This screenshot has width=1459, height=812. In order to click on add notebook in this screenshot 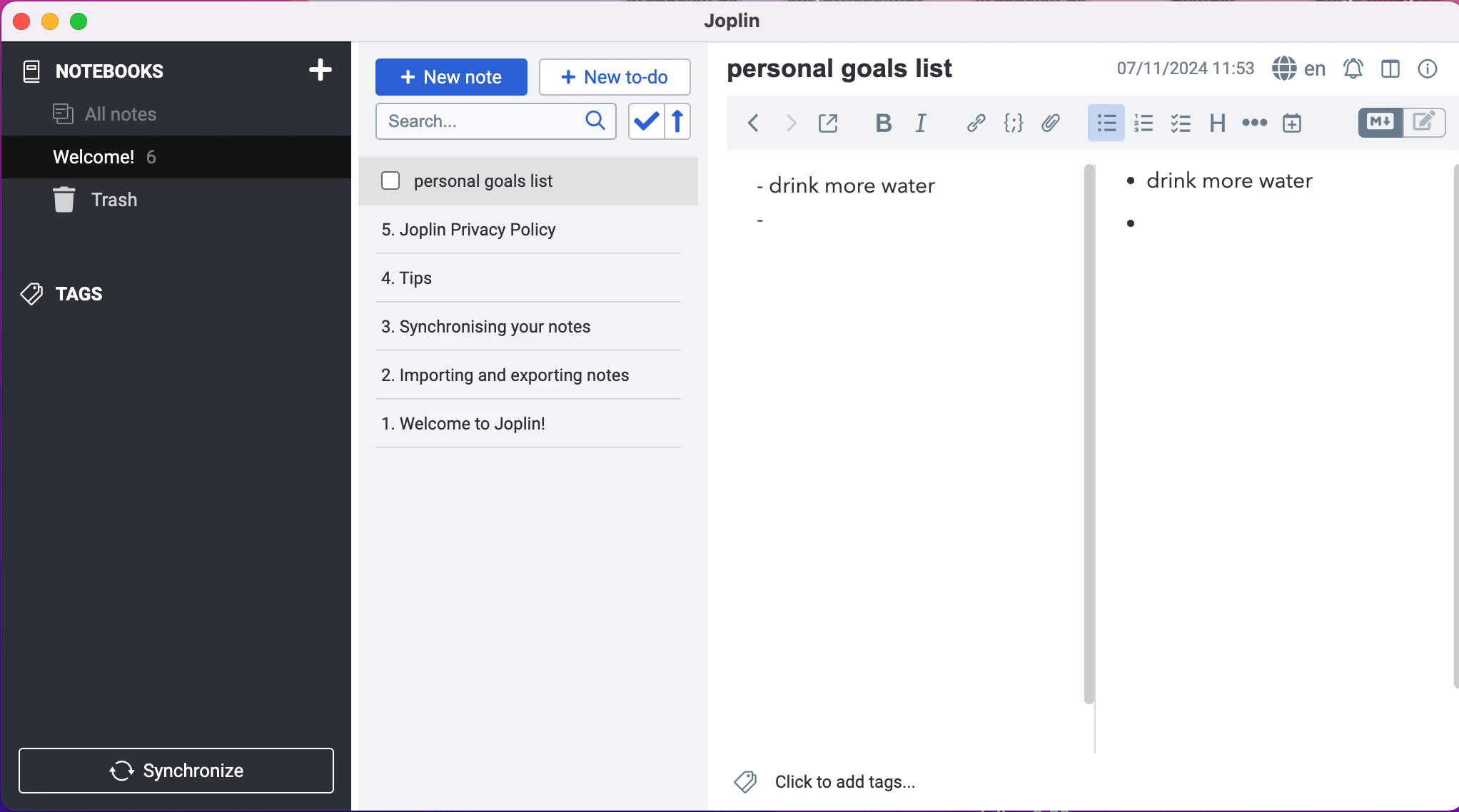, I will do `click(323, 73)`.